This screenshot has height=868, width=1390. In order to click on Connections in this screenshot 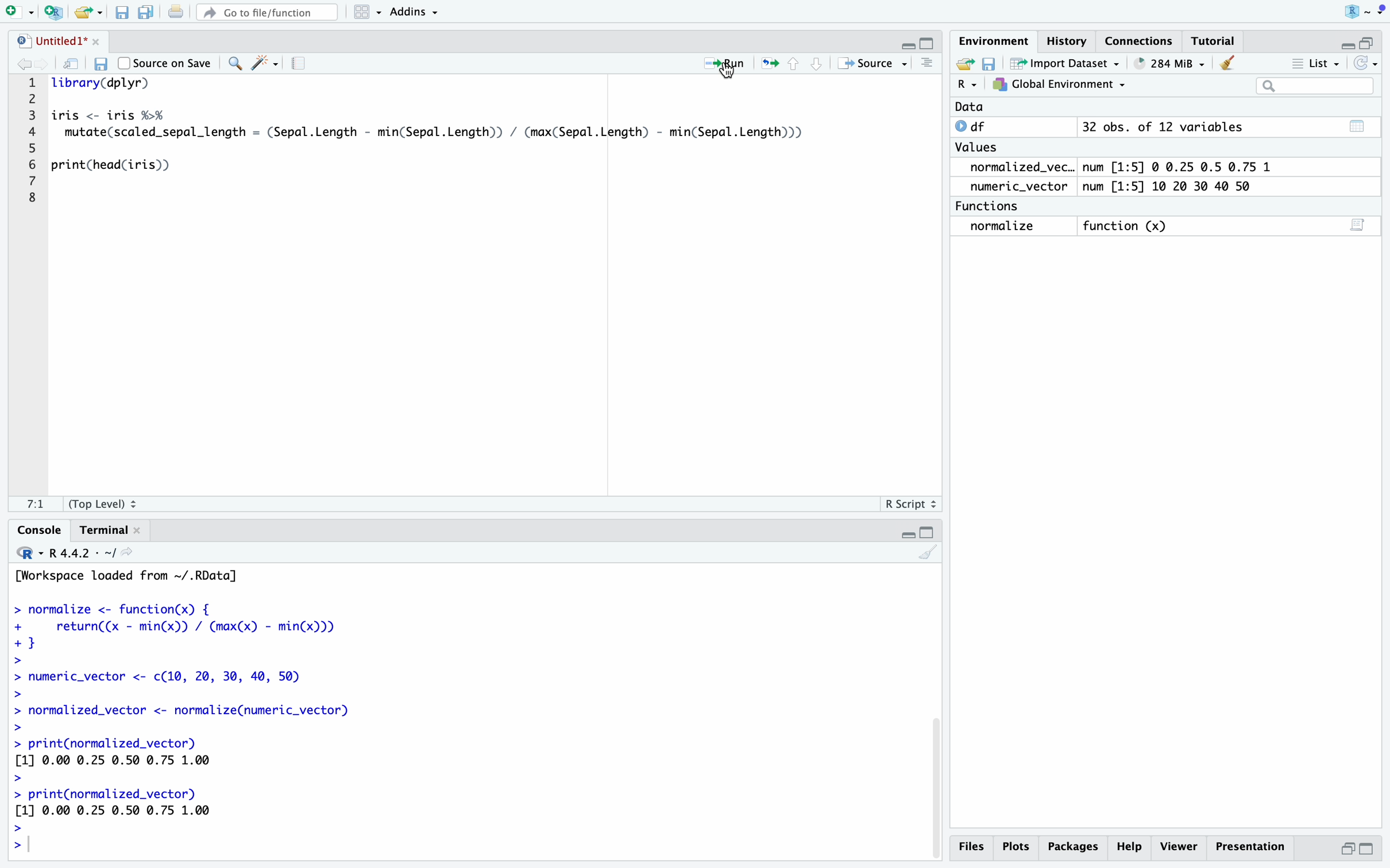, I will do `click(1140, 41)`.